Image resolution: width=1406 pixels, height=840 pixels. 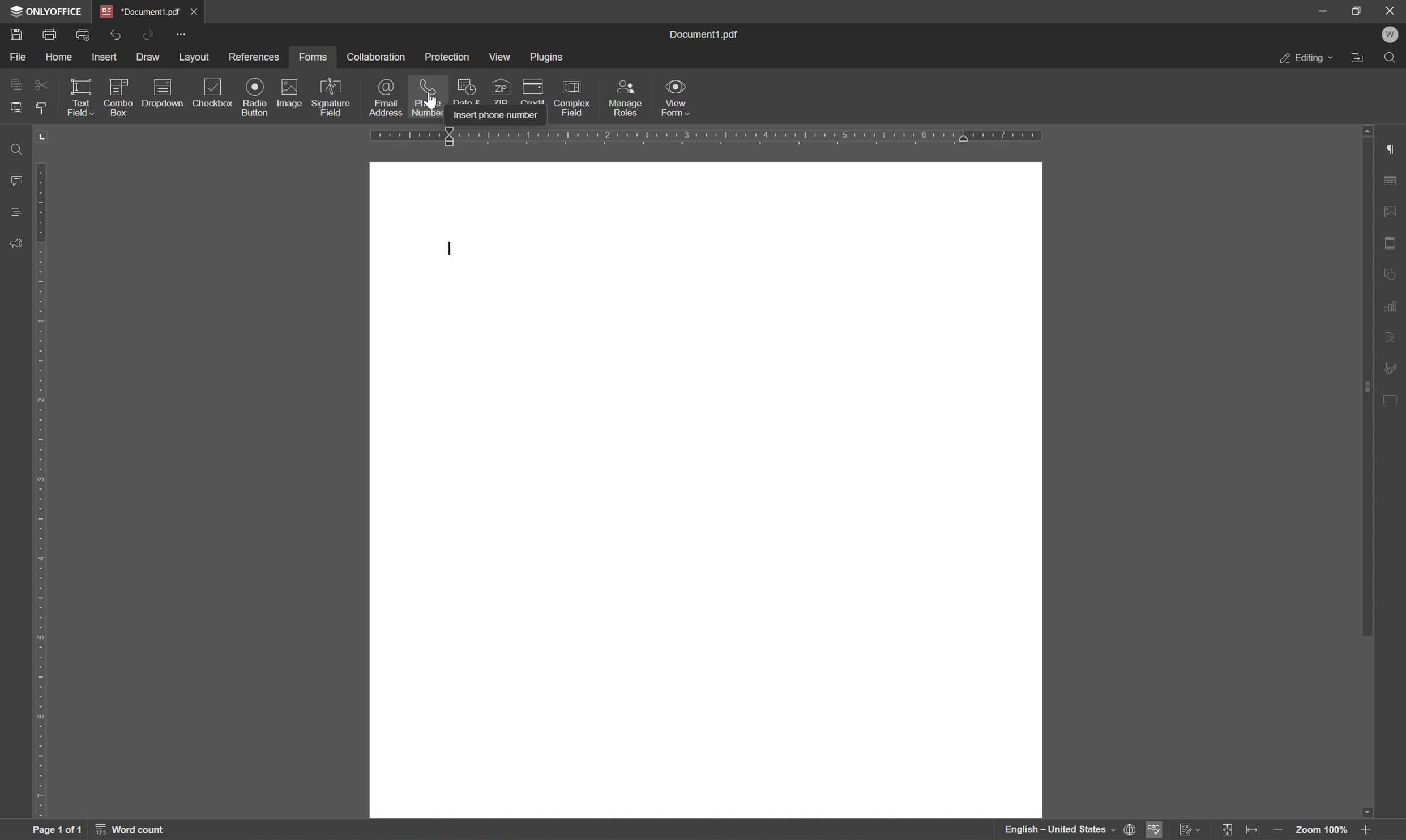 What do you see at coordinates (1373, 816) in the screenshot?
I see `scroll down` at bounding box center [1373, 816].